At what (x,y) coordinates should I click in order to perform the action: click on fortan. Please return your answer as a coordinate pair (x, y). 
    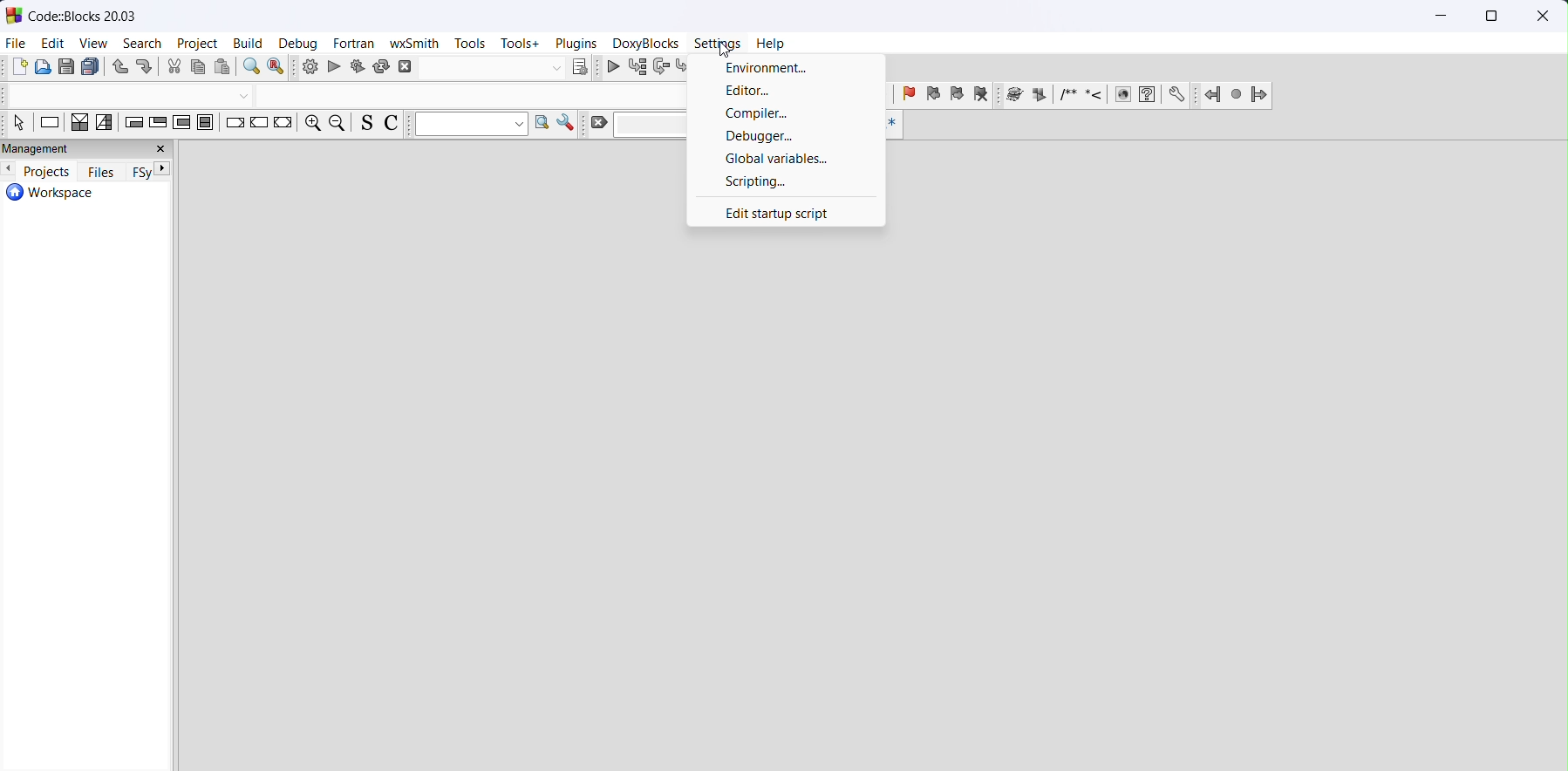
    Looking at the image, I should click on (356, 44).